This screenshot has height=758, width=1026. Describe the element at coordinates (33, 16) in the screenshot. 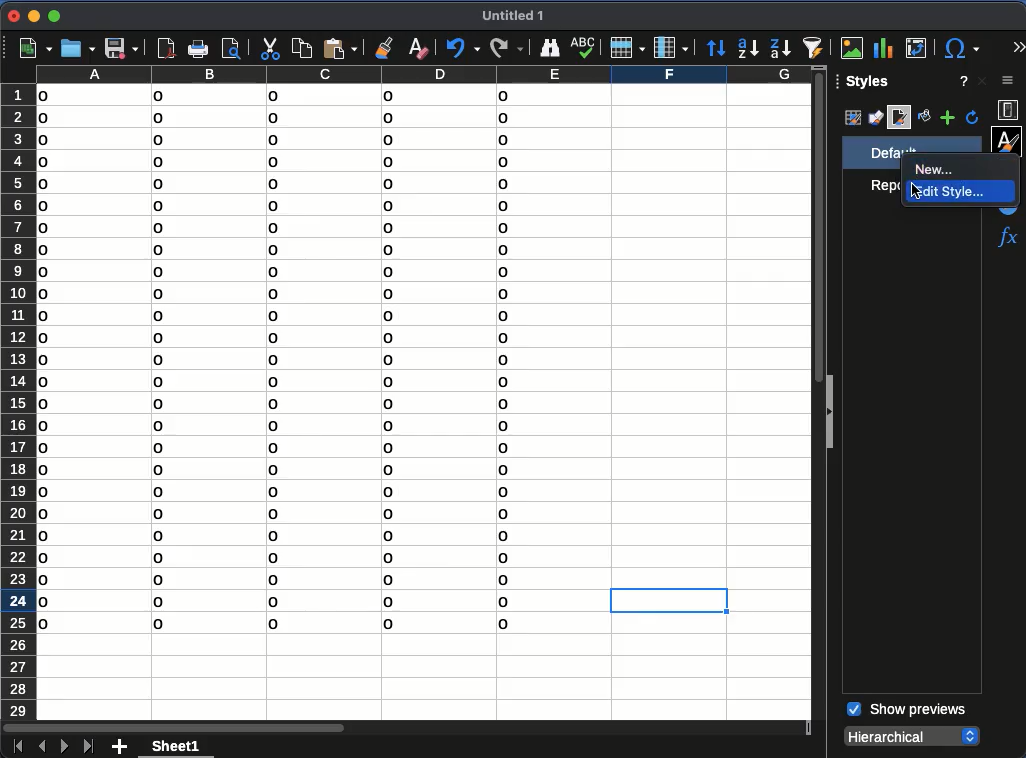

I see `minimize` at that location.